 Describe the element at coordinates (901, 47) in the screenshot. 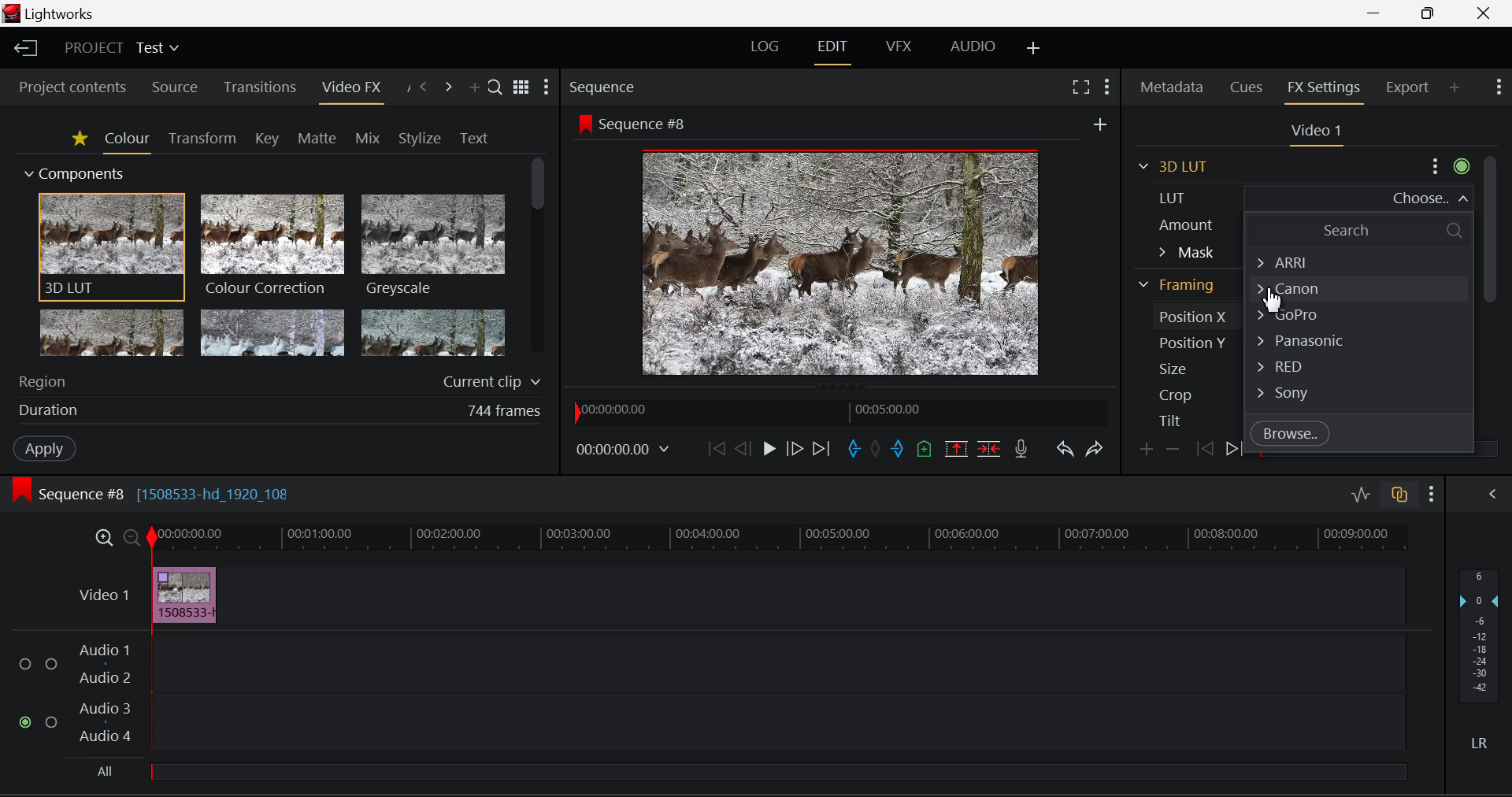

I see `VFX Layout` at that location.